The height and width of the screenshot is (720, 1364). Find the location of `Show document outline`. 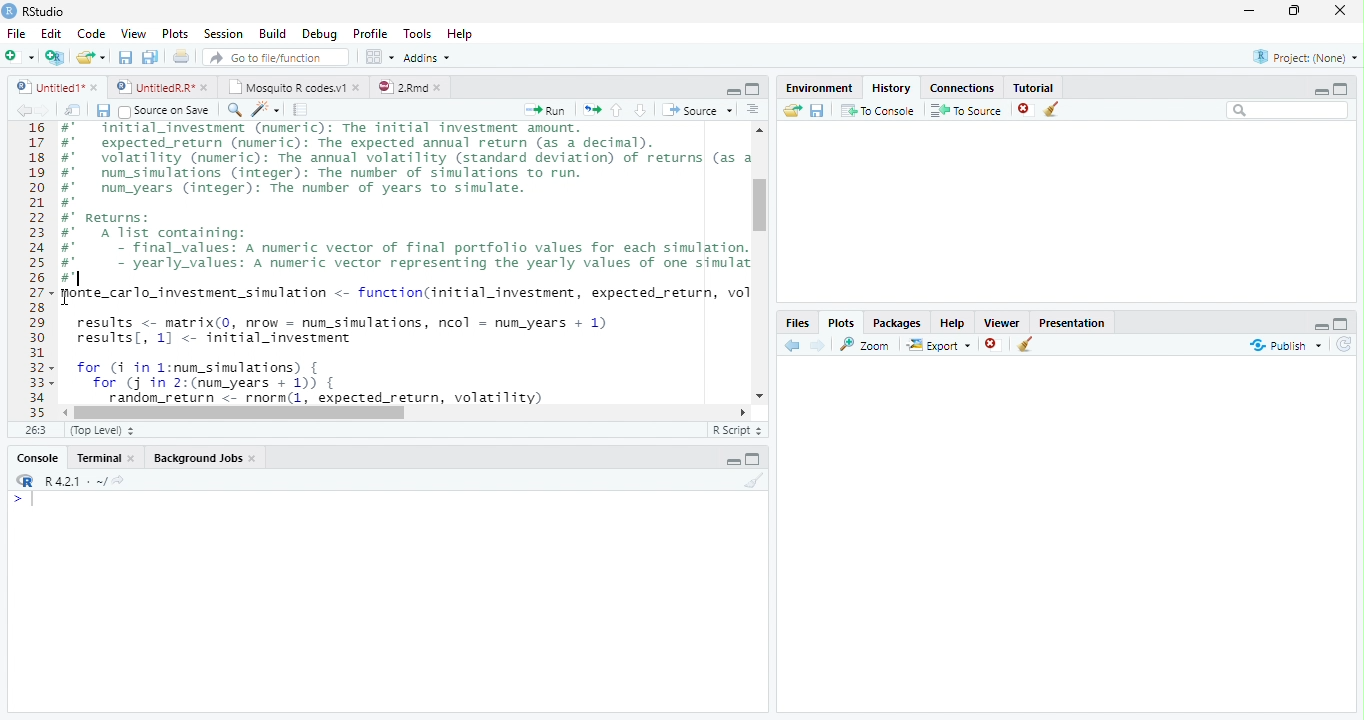

Show document outline is located at coordinates (753, 111).